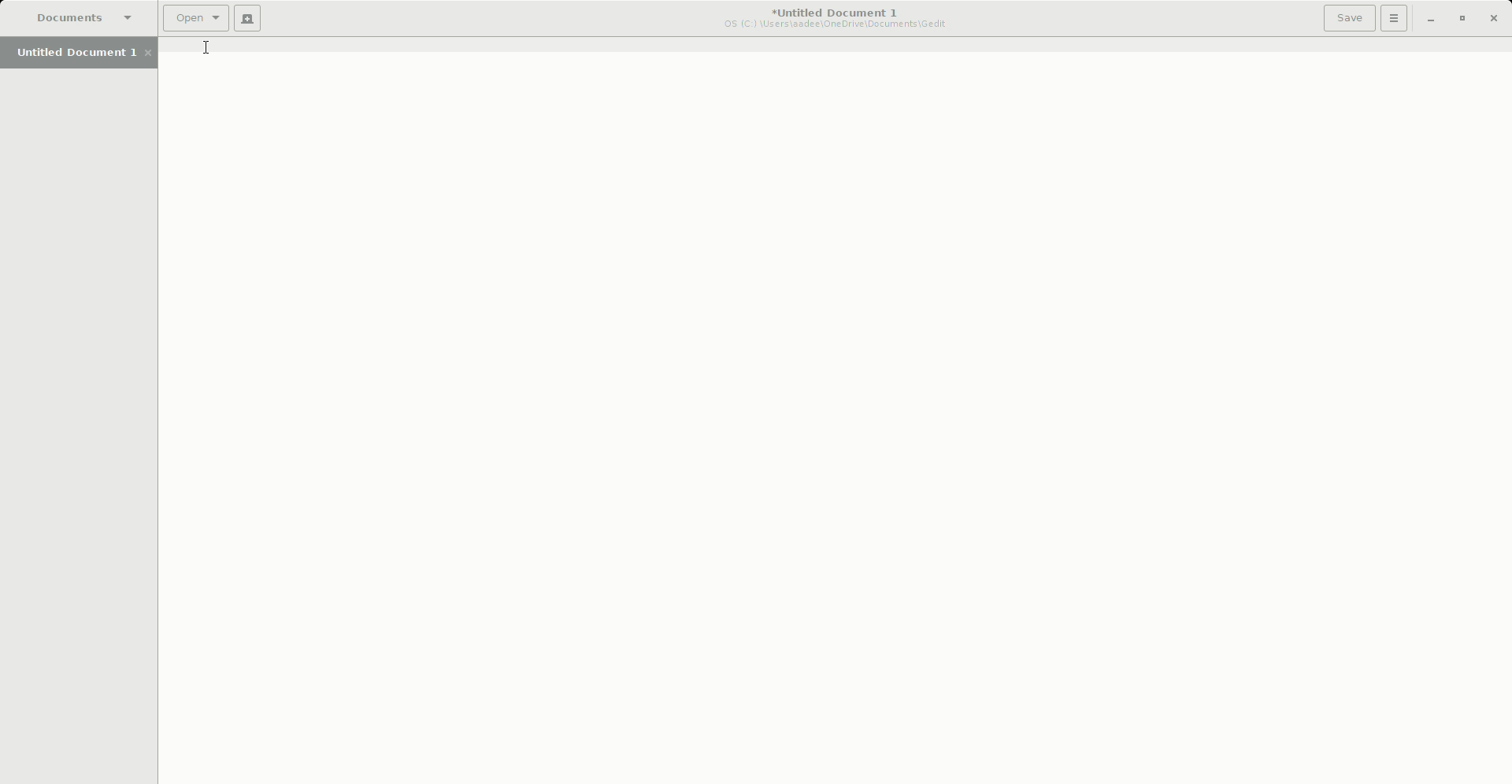  What do you see at coordinates (1350, 17) in the screenshot?
I see `Save` at bounding box center [1350, 17].